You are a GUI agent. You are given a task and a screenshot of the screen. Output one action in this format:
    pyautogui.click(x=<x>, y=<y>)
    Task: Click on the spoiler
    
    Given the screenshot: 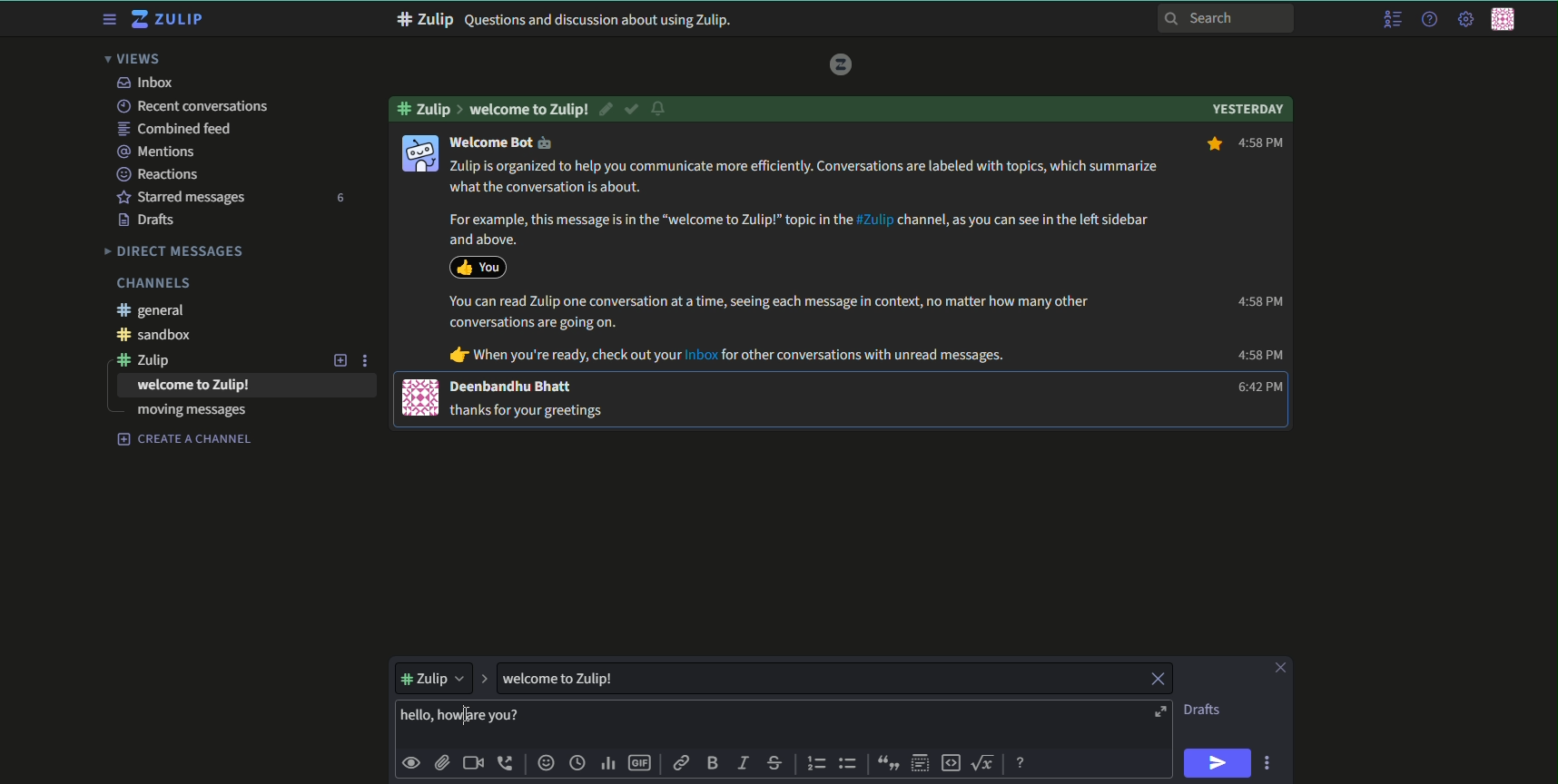 What is the action you would take?
    pyautogui.click(x=921, y=763)
    